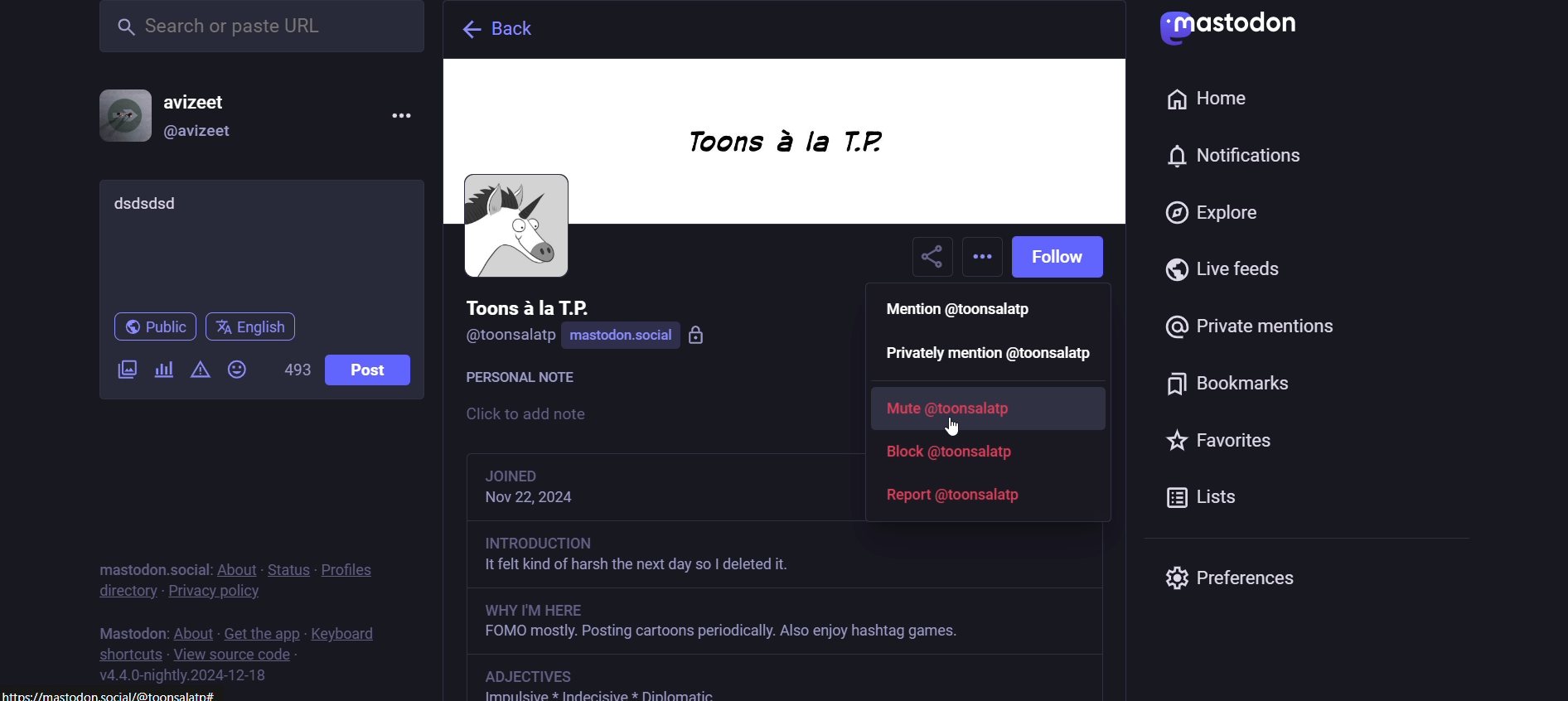 This screenshot has height=701, width=1568. I want to click on mastodon social, so click(645, 336).